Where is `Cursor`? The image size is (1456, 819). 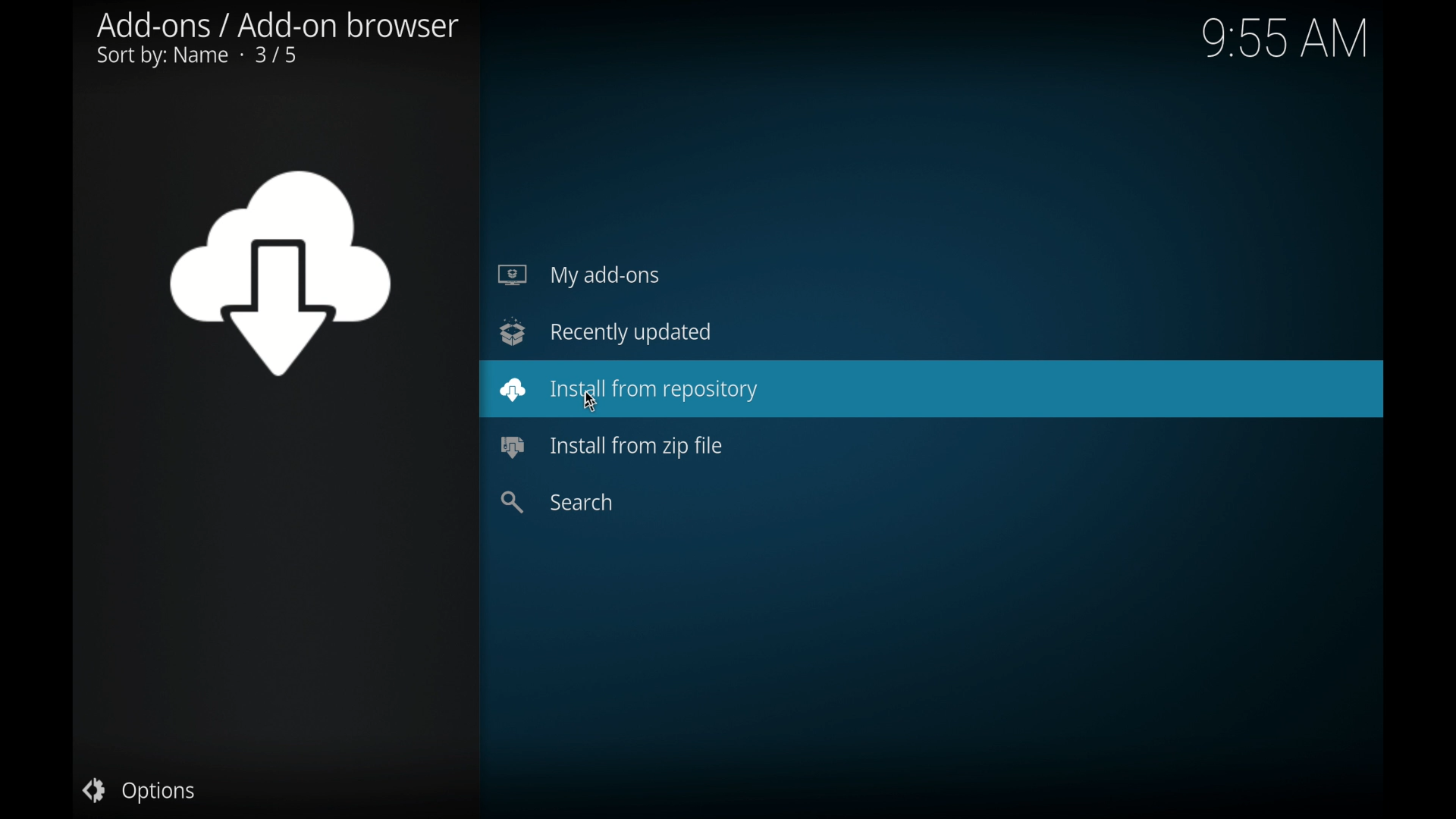 Cursor is located at coordinates (595, 400).